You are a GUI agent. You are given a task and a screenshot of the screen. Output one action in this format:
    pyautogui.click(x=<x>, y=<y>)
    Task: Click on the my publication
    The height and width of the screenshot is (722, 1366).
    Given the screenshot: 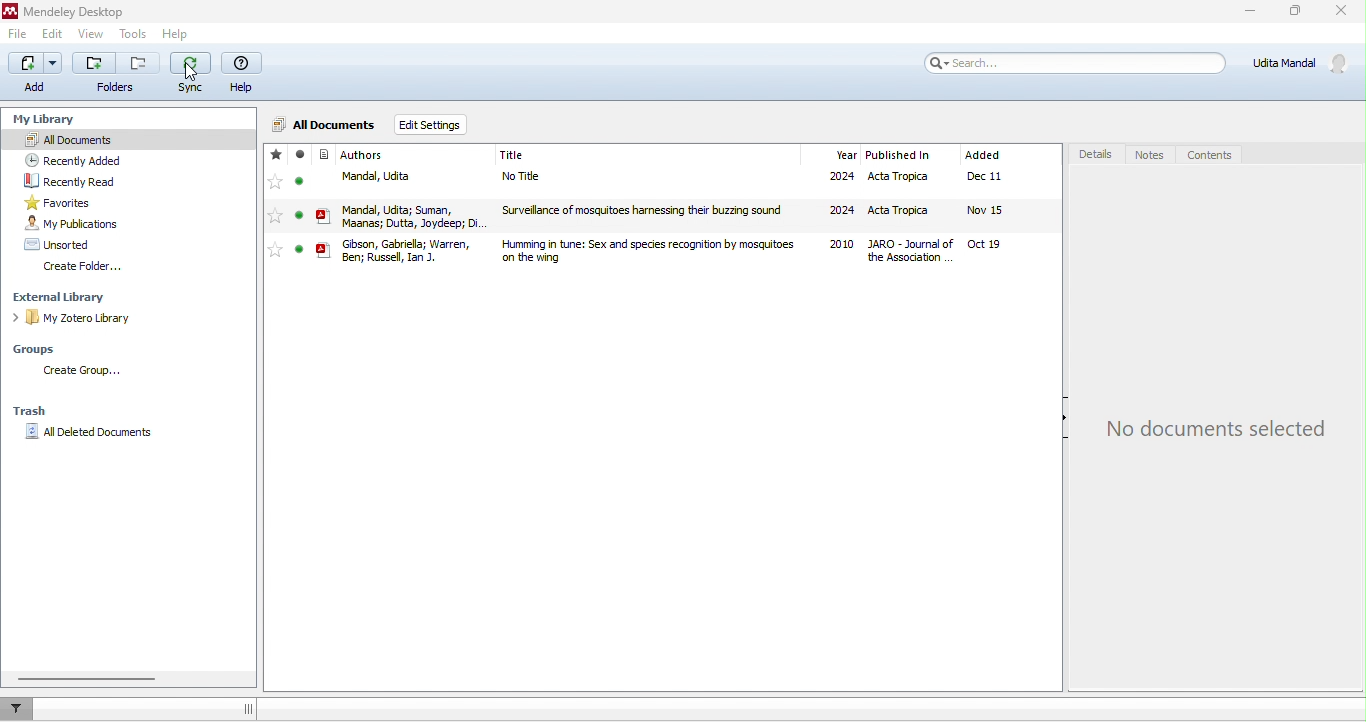 What is the action you would take?
    pyautogui.click(x=82, y=223)
    